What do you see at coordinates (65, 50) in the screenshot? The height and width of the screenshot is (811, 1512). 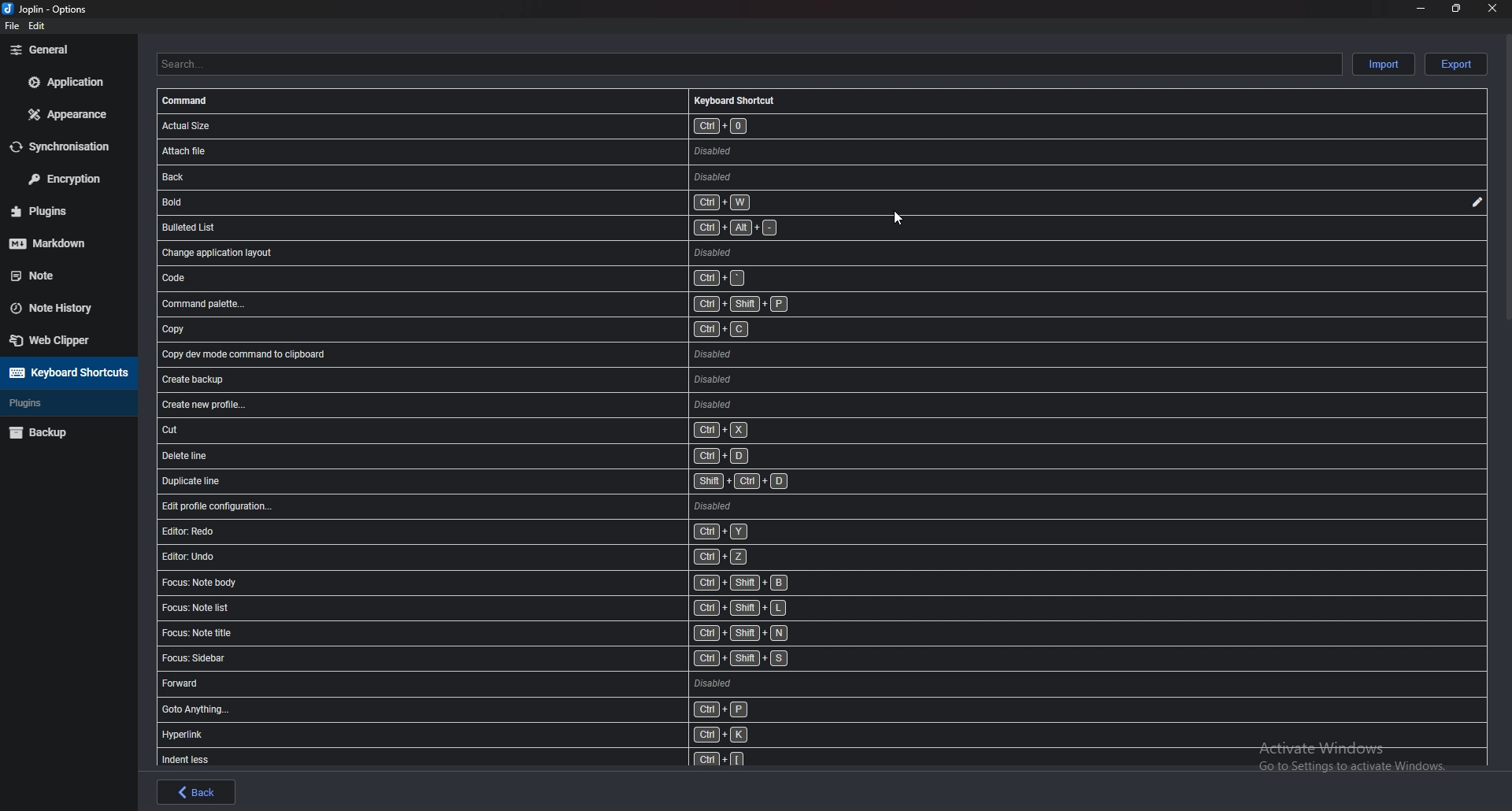 I see `general` at bounding box center [65, 50].